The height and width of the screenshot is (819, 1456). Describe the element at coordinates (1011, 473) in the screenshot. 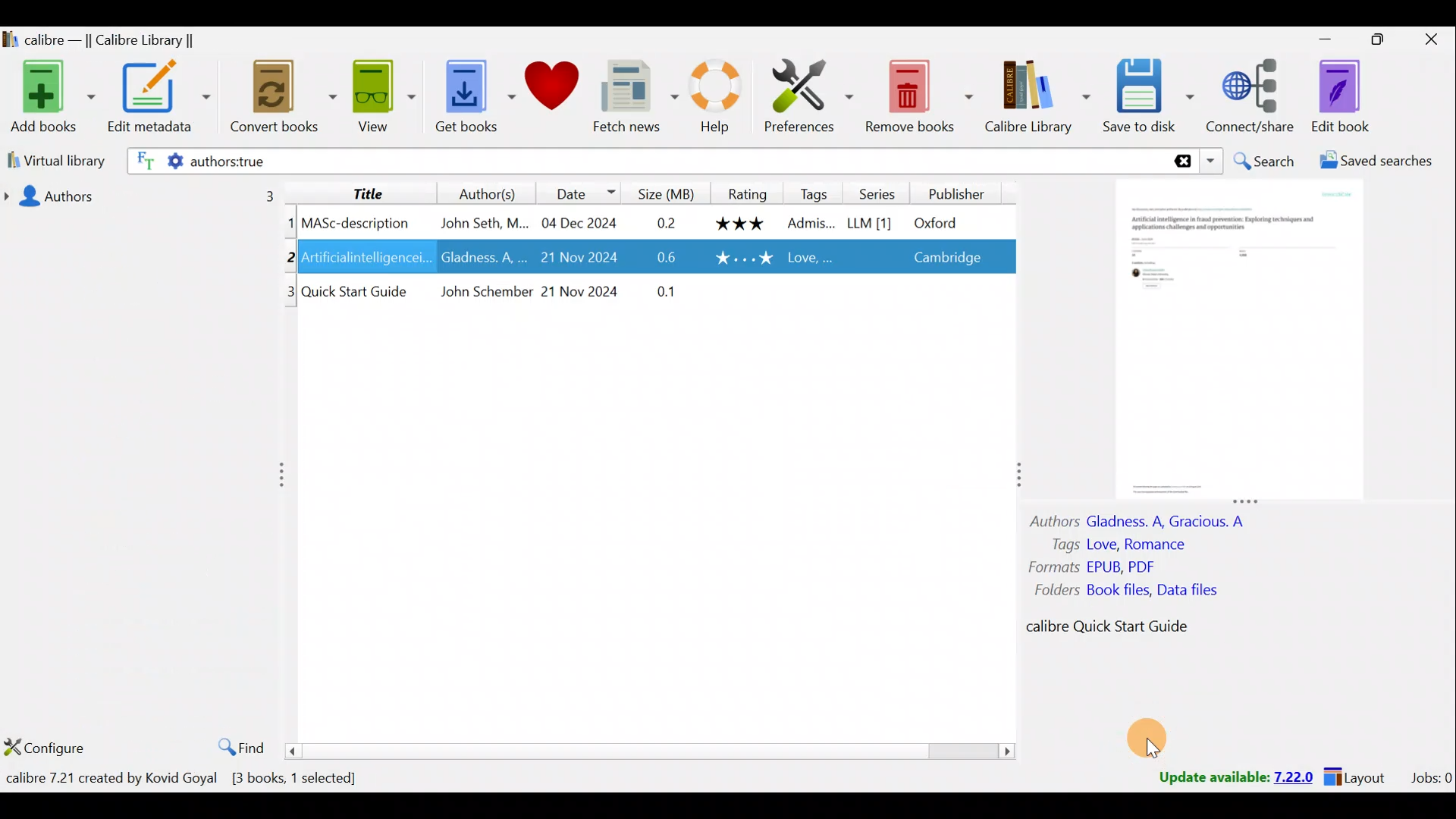

I see `Adjust column` at that location.